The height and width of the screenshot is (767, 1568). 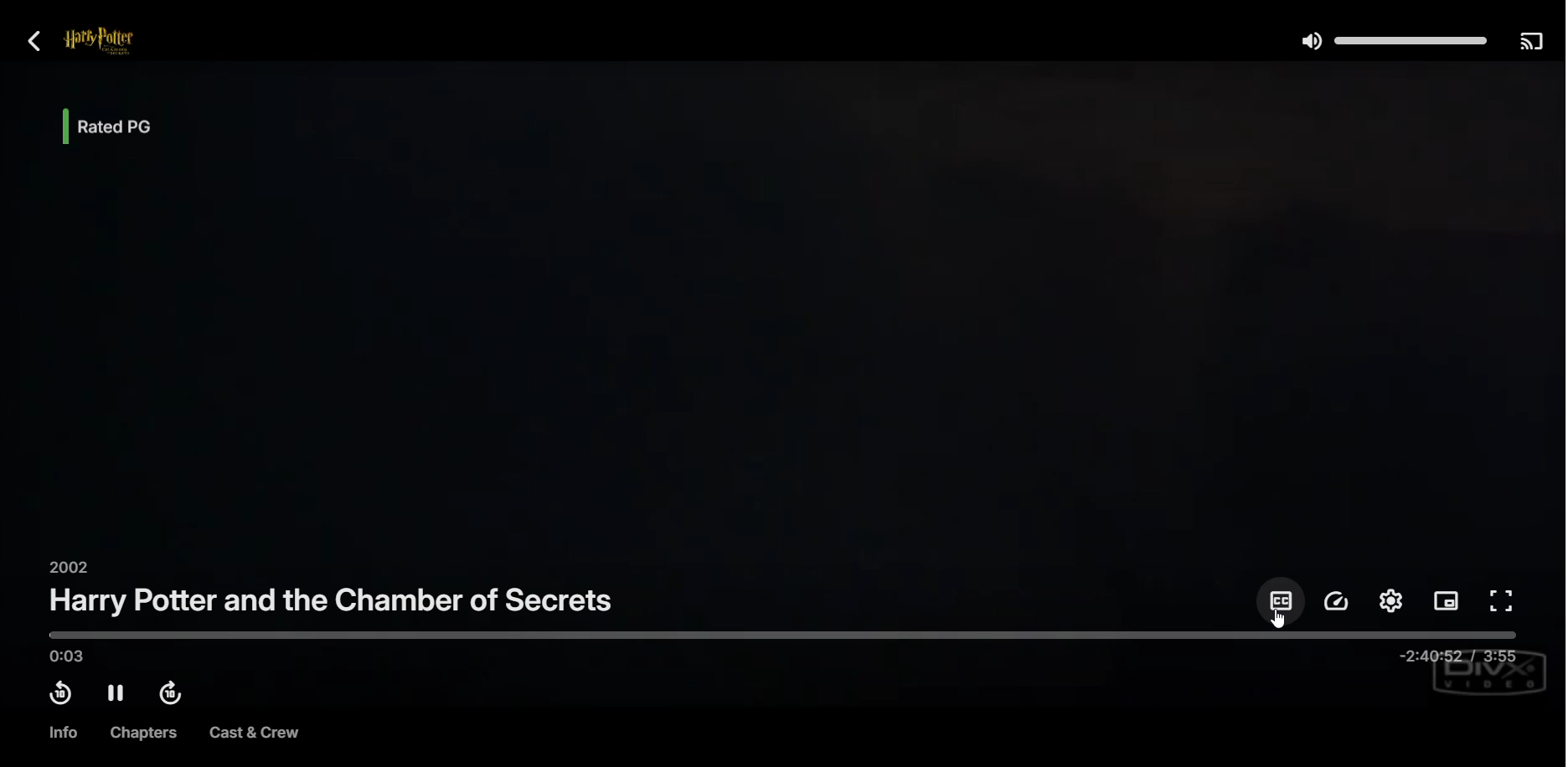 What do you see at coordinates (1530, 40) in the screenshot?
I see `Play on another device` at bounding box center [1530, 40].